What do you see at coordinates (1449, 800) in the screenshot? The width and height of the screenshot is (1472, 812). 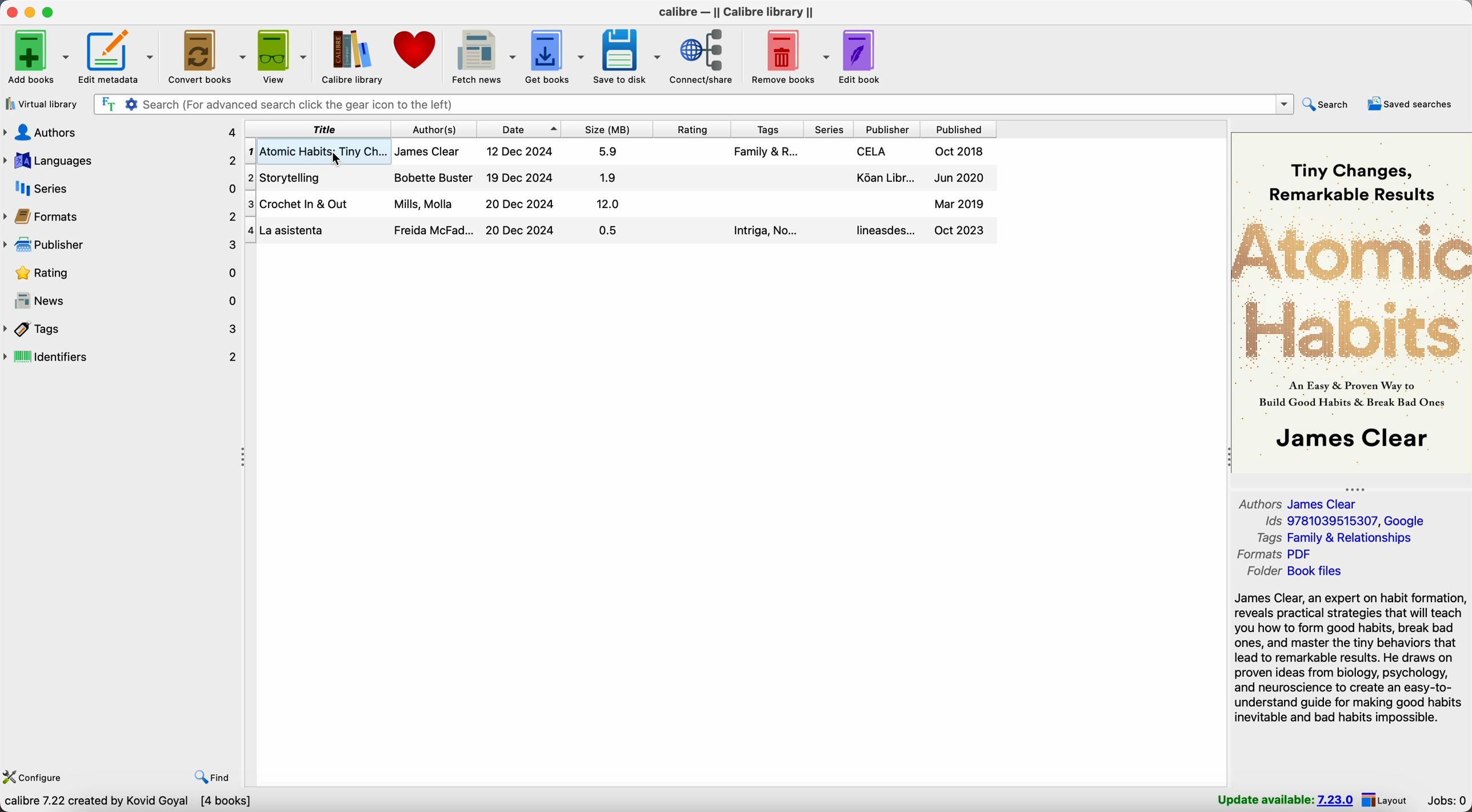 I see `Jobs: 0` at bounding box center [1449, 800].